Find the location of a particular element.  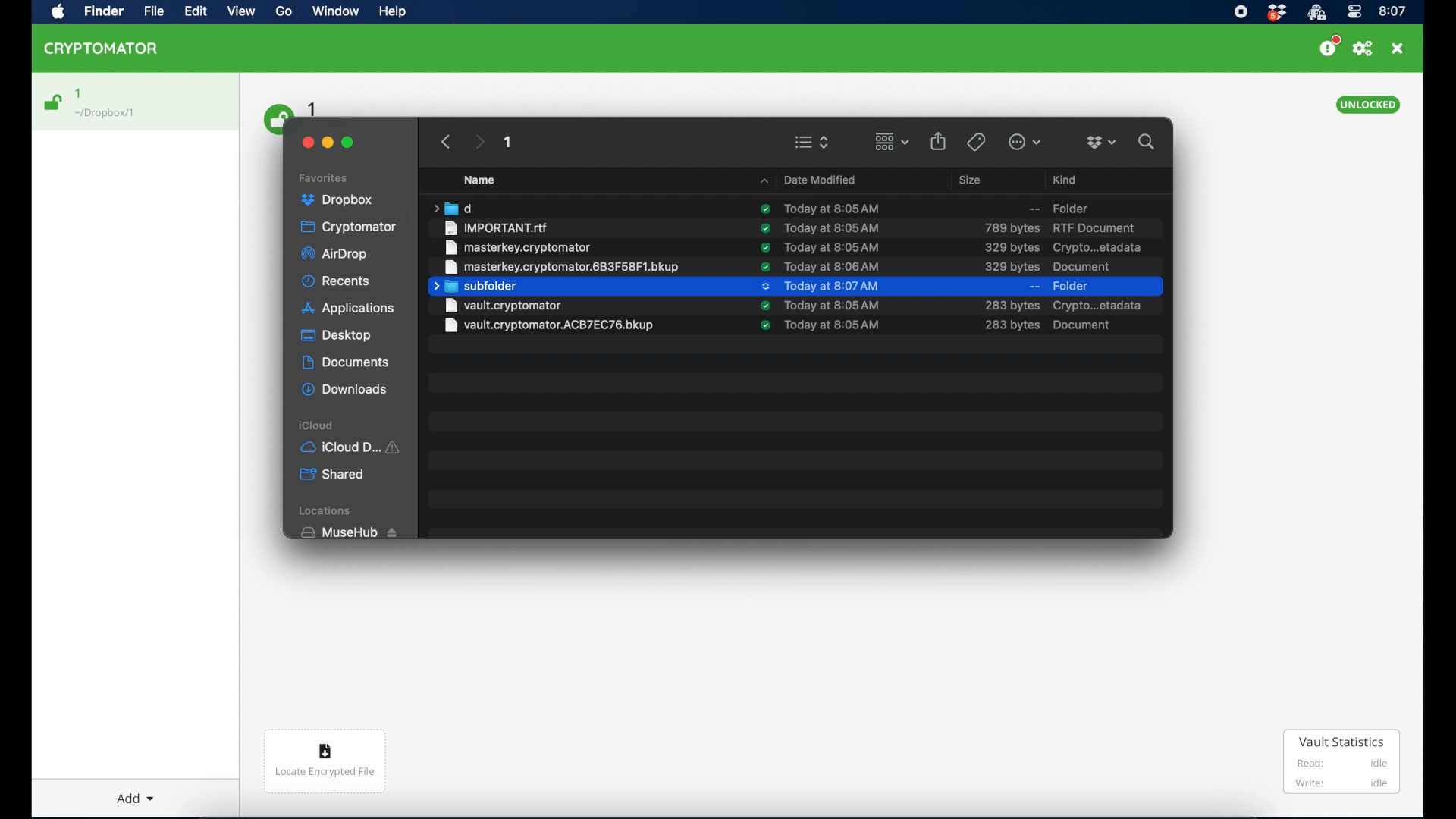

backward is located at coordinates (443, 141).